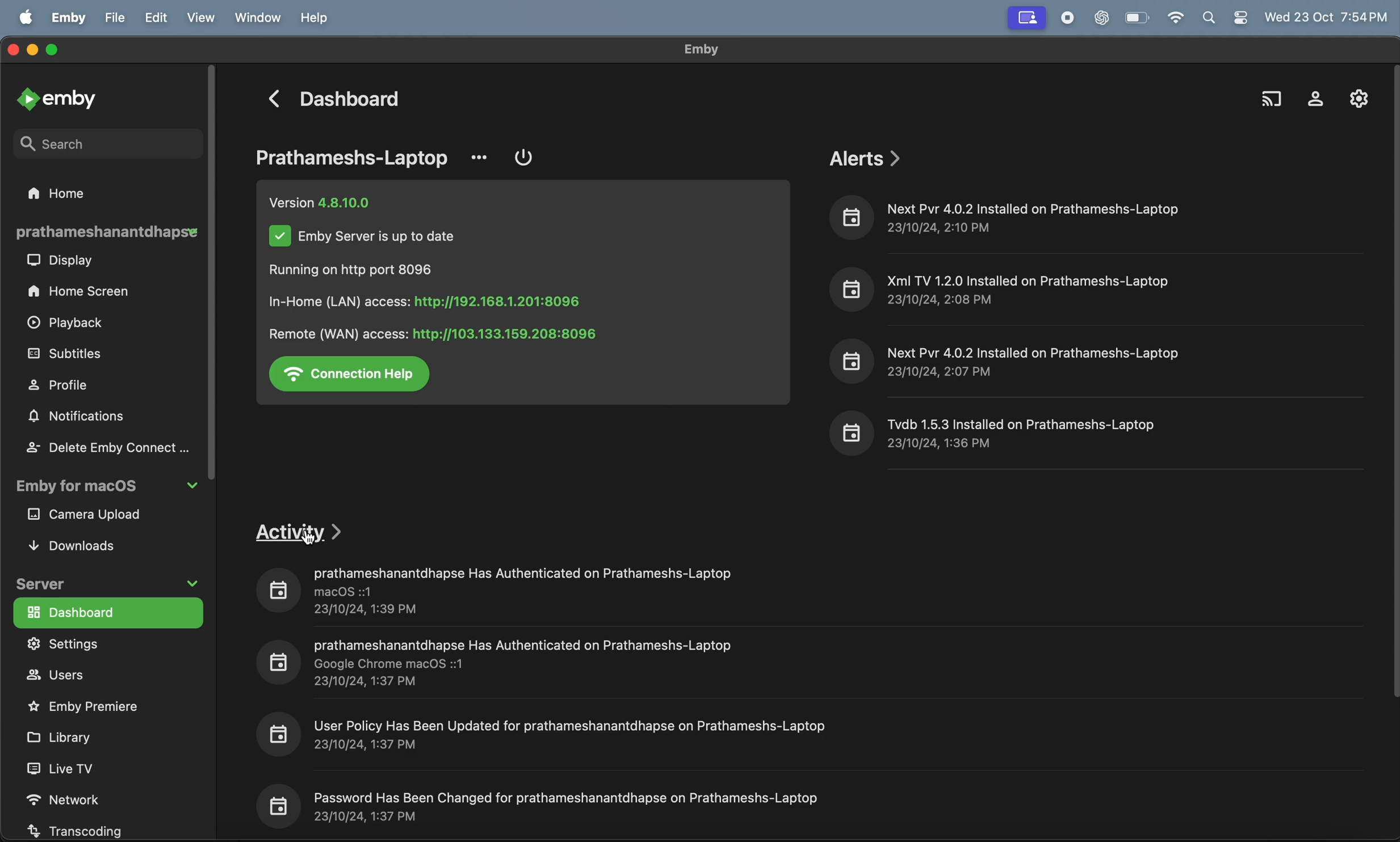  Describe the element at coordinates (1000, 433) in the screenshot. I see `i] Tvdb 1.5.3 Installed on Prathameshs-Laptop
23/10/24, 1:36 PM` at that location.